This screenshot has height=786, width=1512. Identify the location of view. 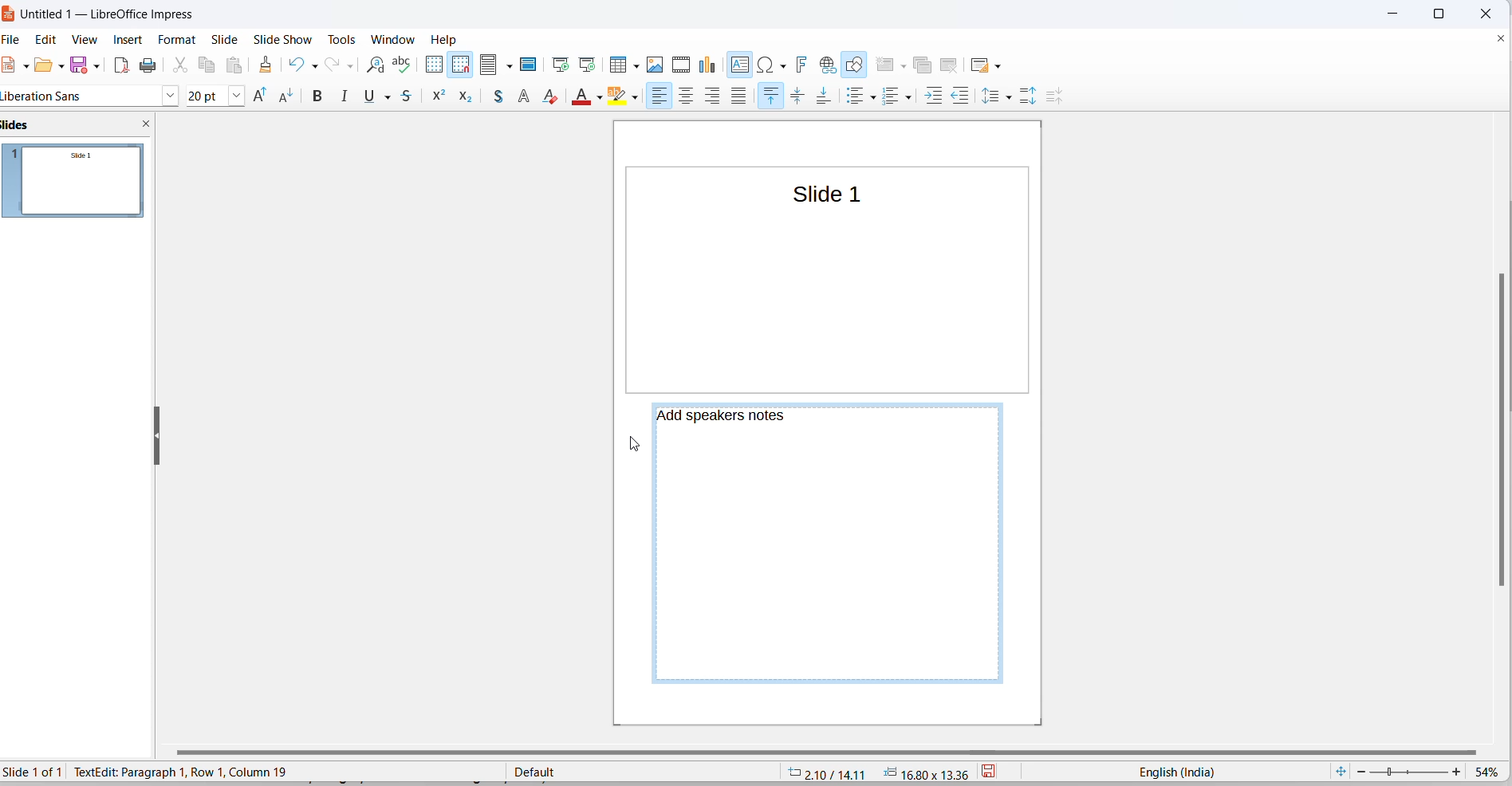
(86, 41).